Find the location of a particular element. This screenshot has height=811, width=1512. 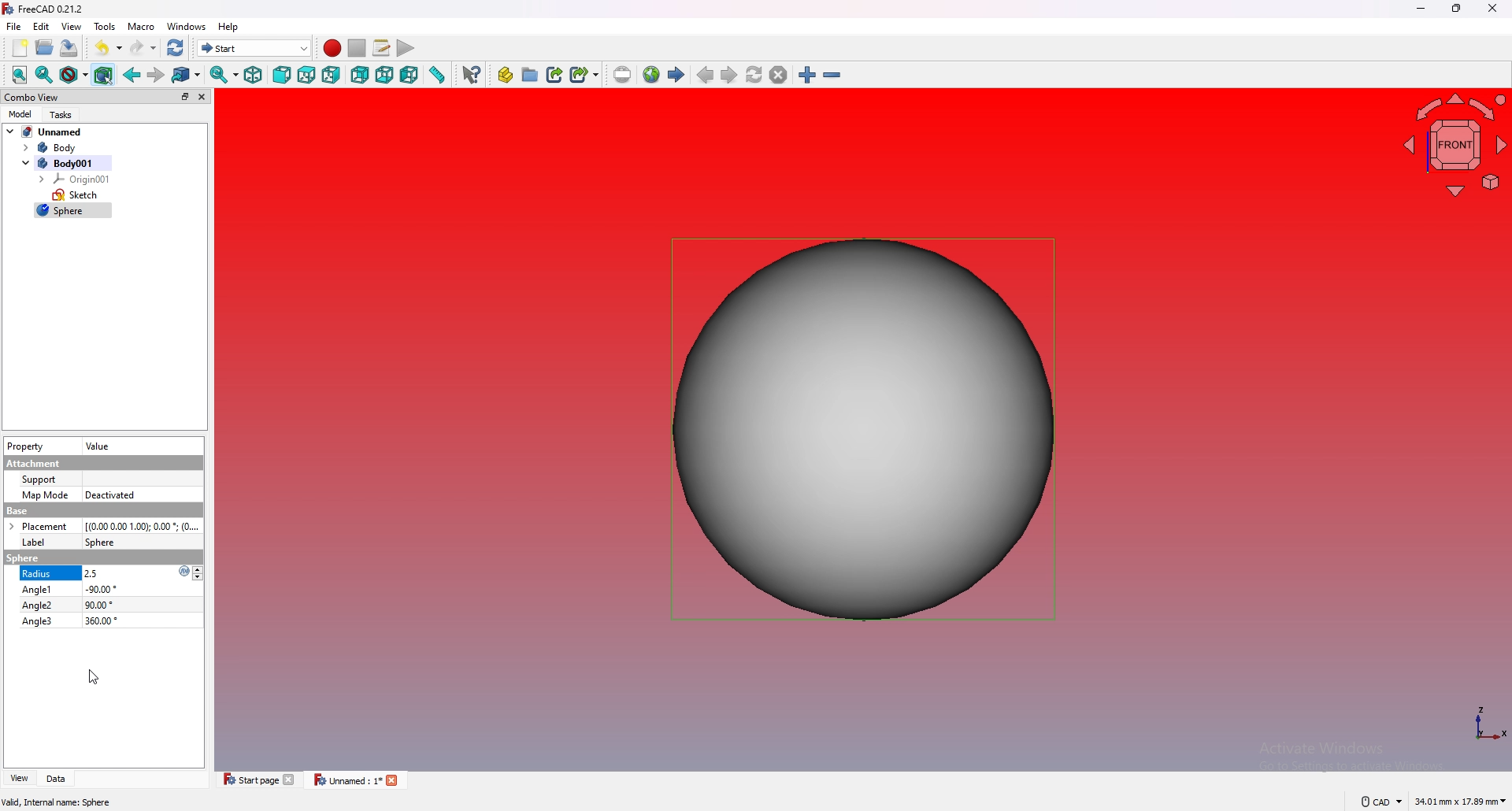

fit all is located at coordinates (20, 76).